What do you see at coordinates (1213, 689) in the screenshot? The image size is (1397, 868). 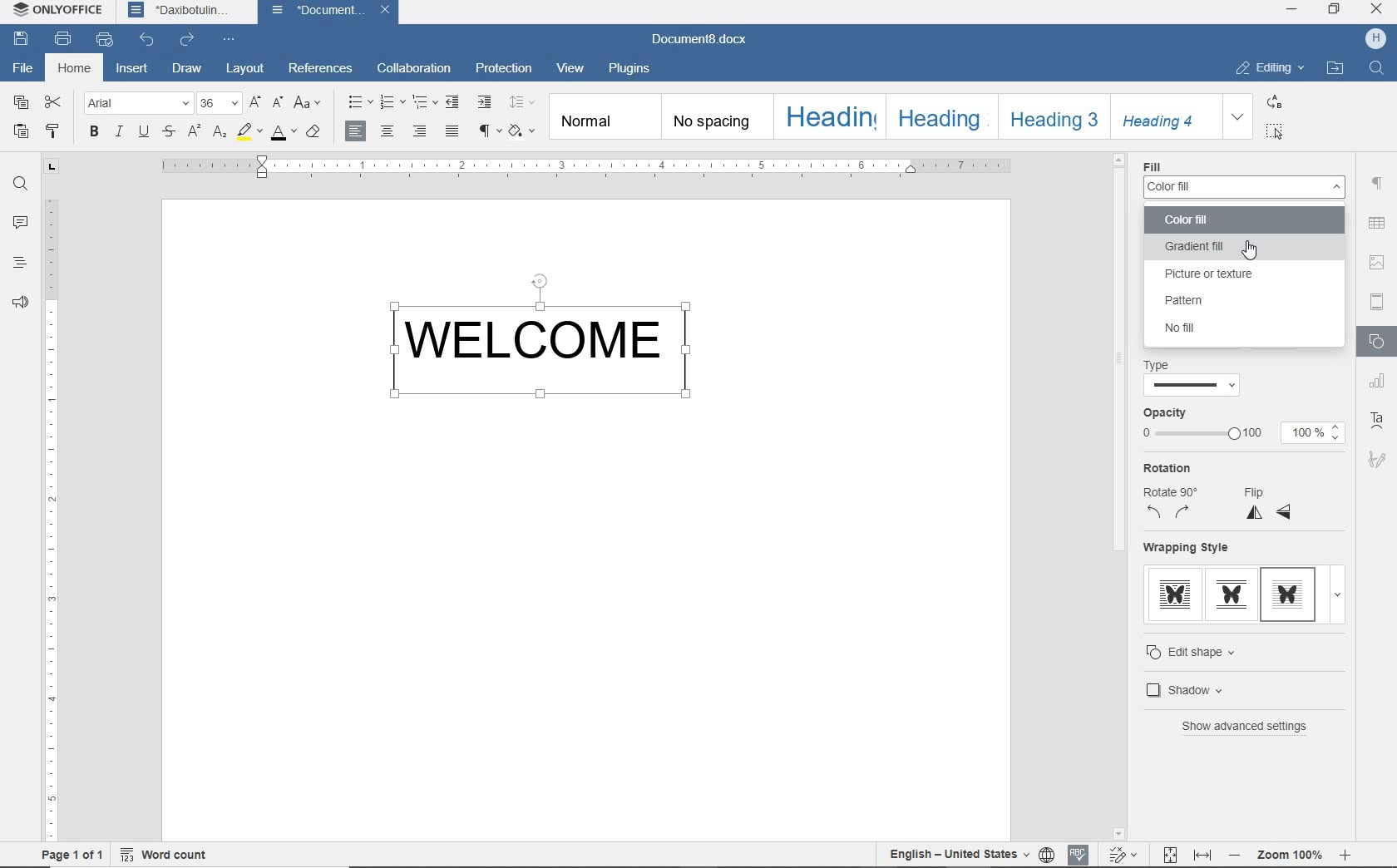 I see `shadow` at bounding box center [1213, 689].